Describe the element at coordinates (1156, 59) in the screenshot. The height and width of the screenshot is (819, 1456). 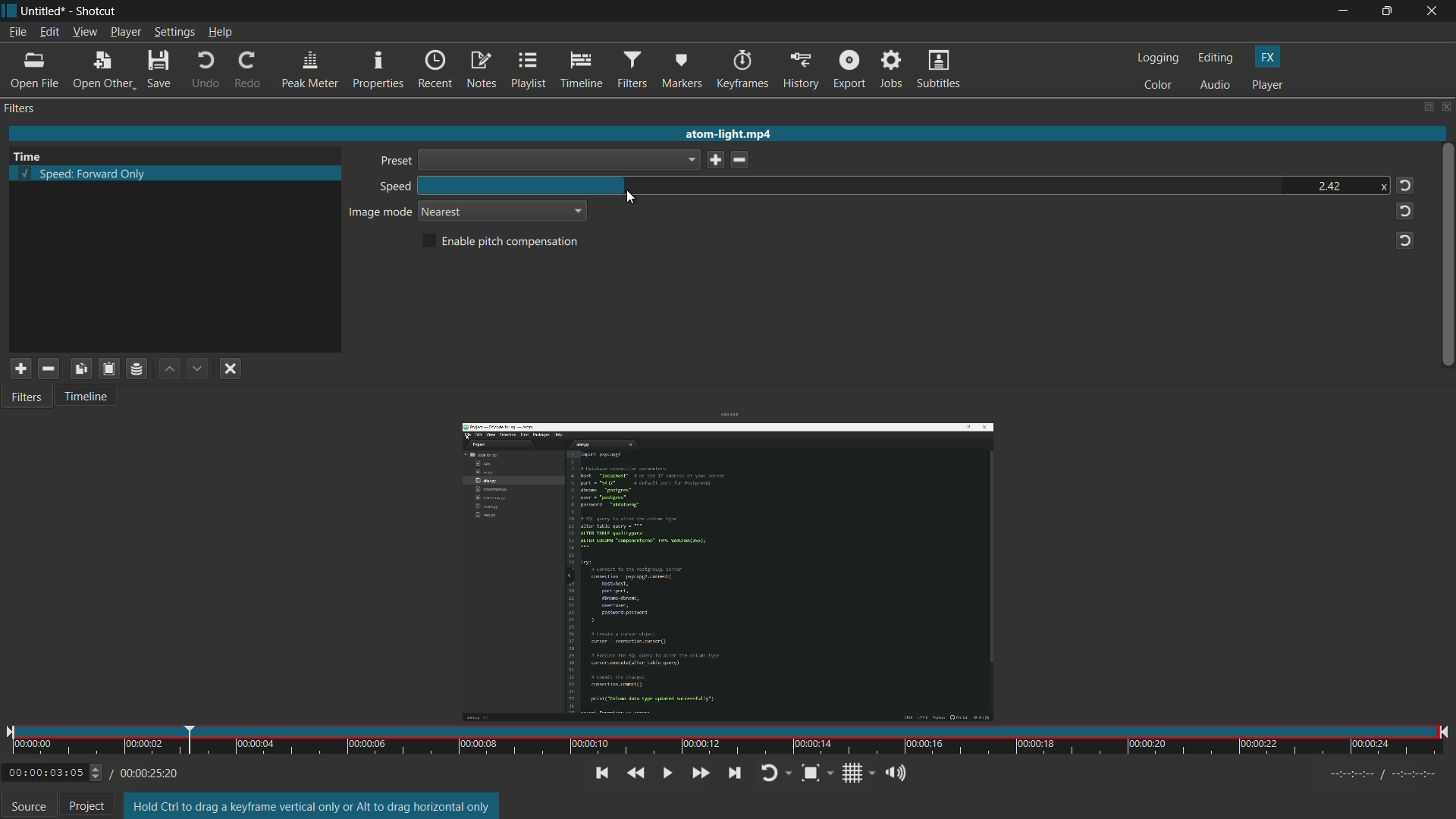
I see `logging` at that location.